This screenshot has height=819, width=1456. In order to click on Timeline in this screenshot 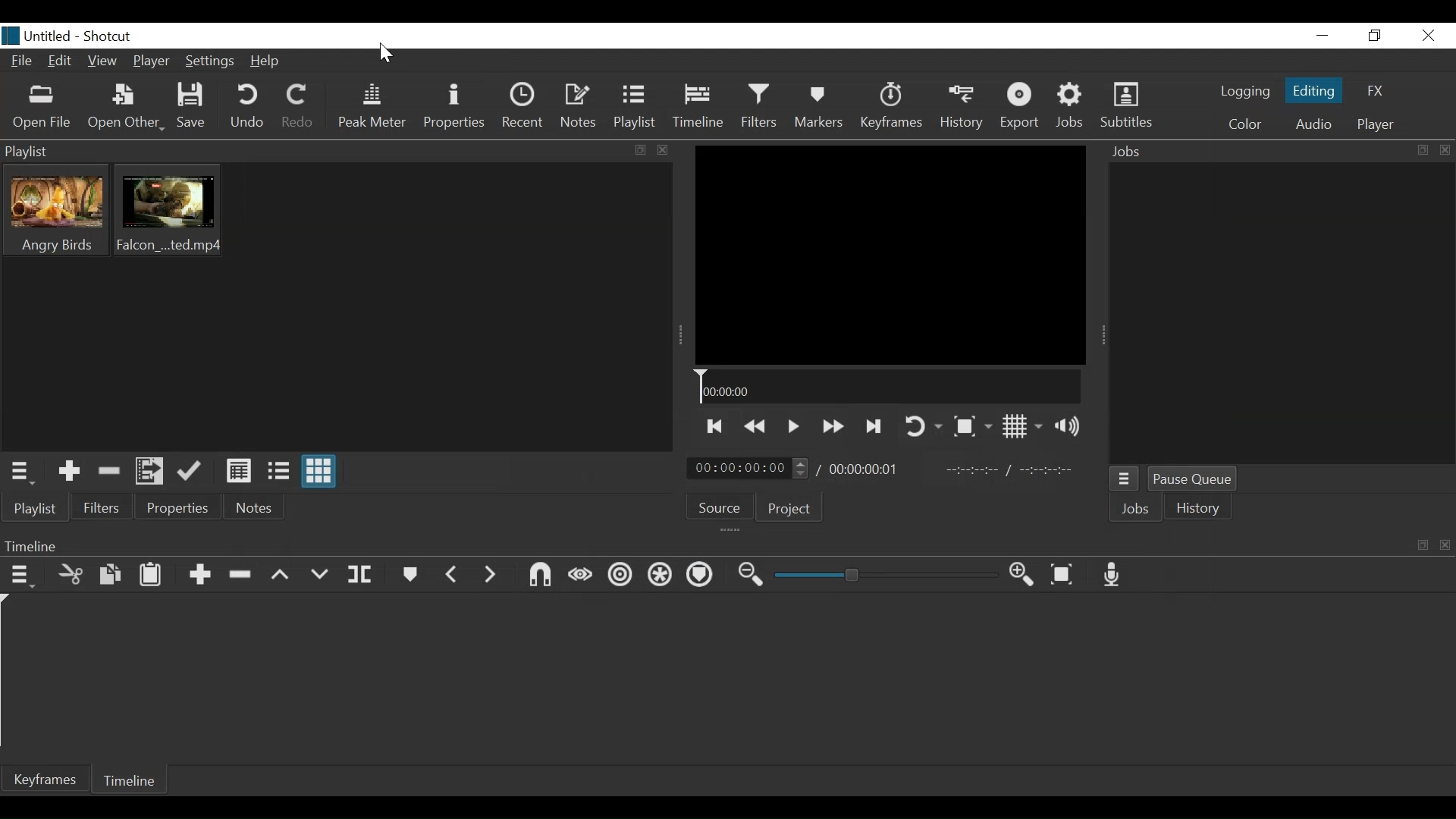, I will do `click(700, 106)`.